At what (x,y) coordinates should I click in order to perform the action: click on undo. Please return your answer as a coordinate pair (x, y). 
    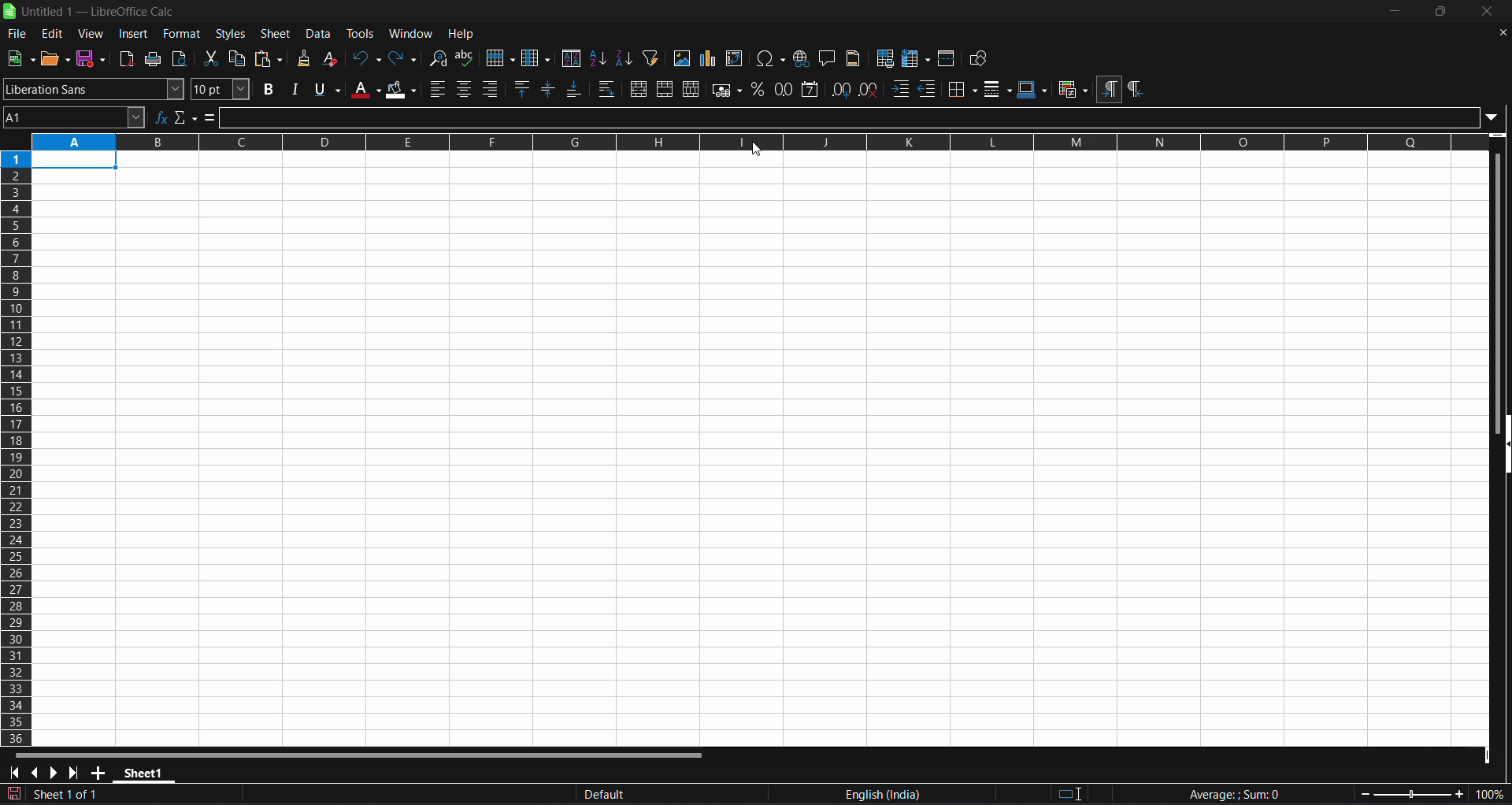
    Looking at the image, I should click on (366, 58).